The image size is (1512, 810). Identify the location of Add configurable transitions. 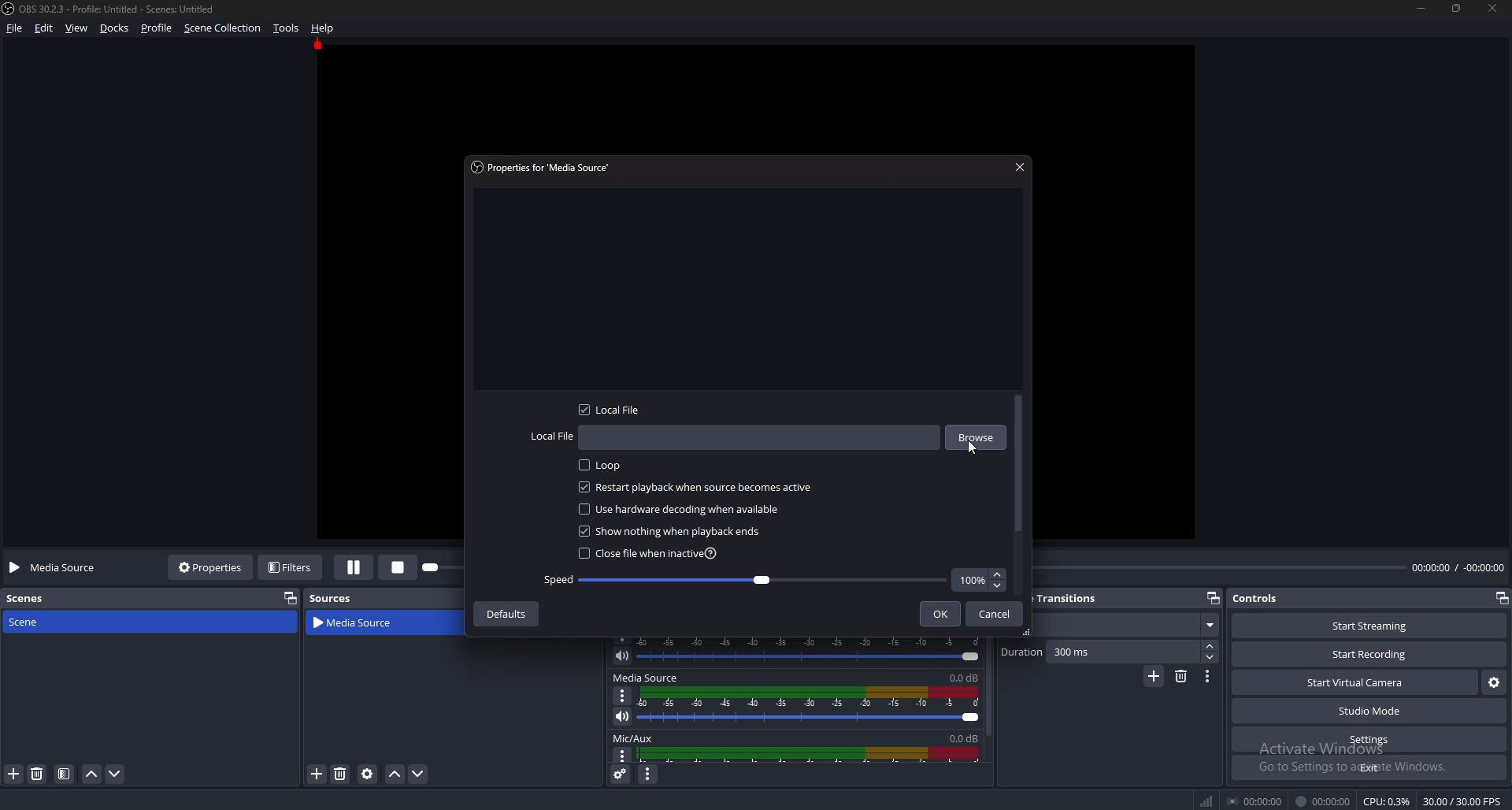
(1154, 677).